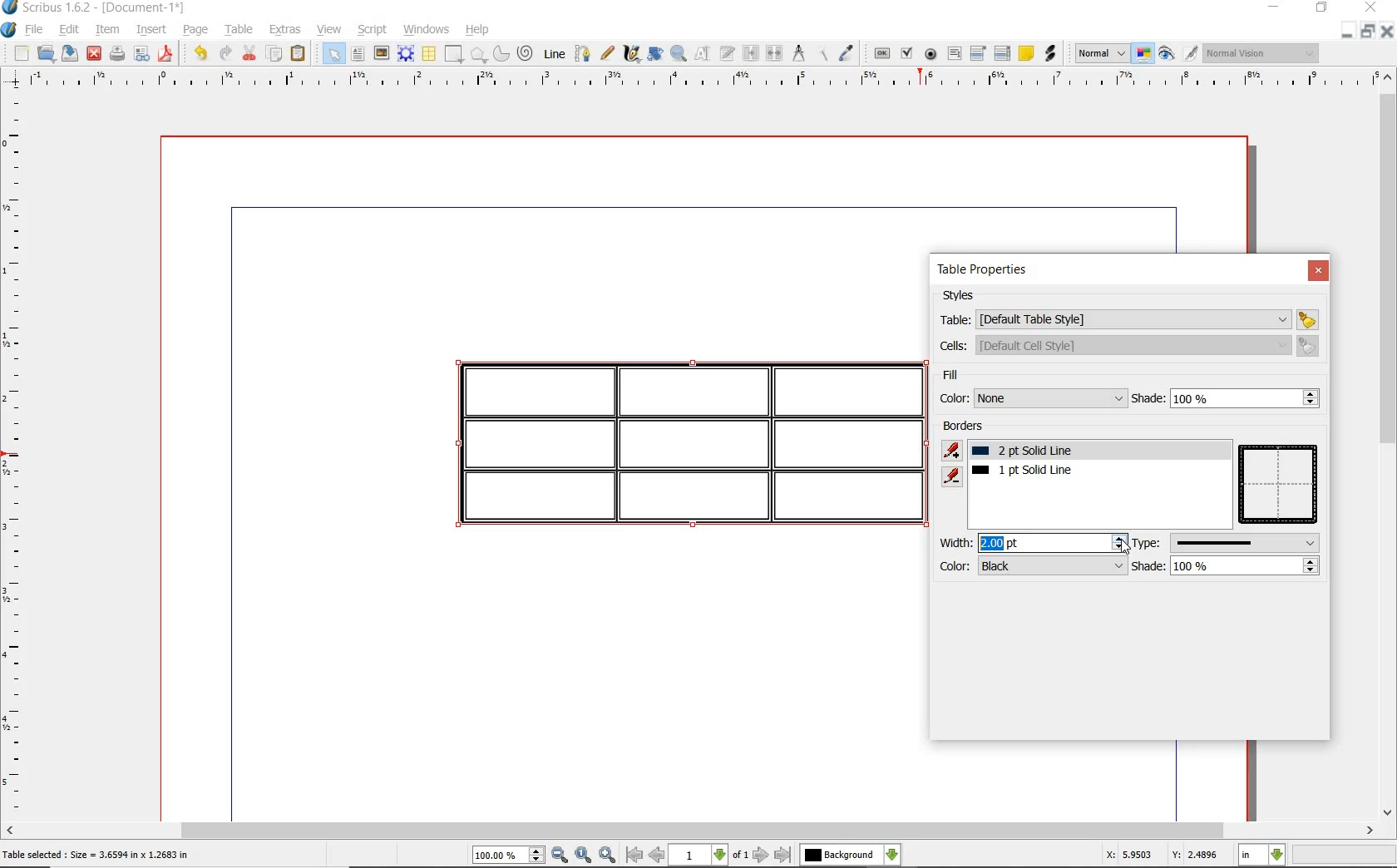 Image resolution: width=1397 pixels, height=868 pixels. Describe the element at coordinates (1389, 30) in the screenshot. I see `CLOSE` at that location.